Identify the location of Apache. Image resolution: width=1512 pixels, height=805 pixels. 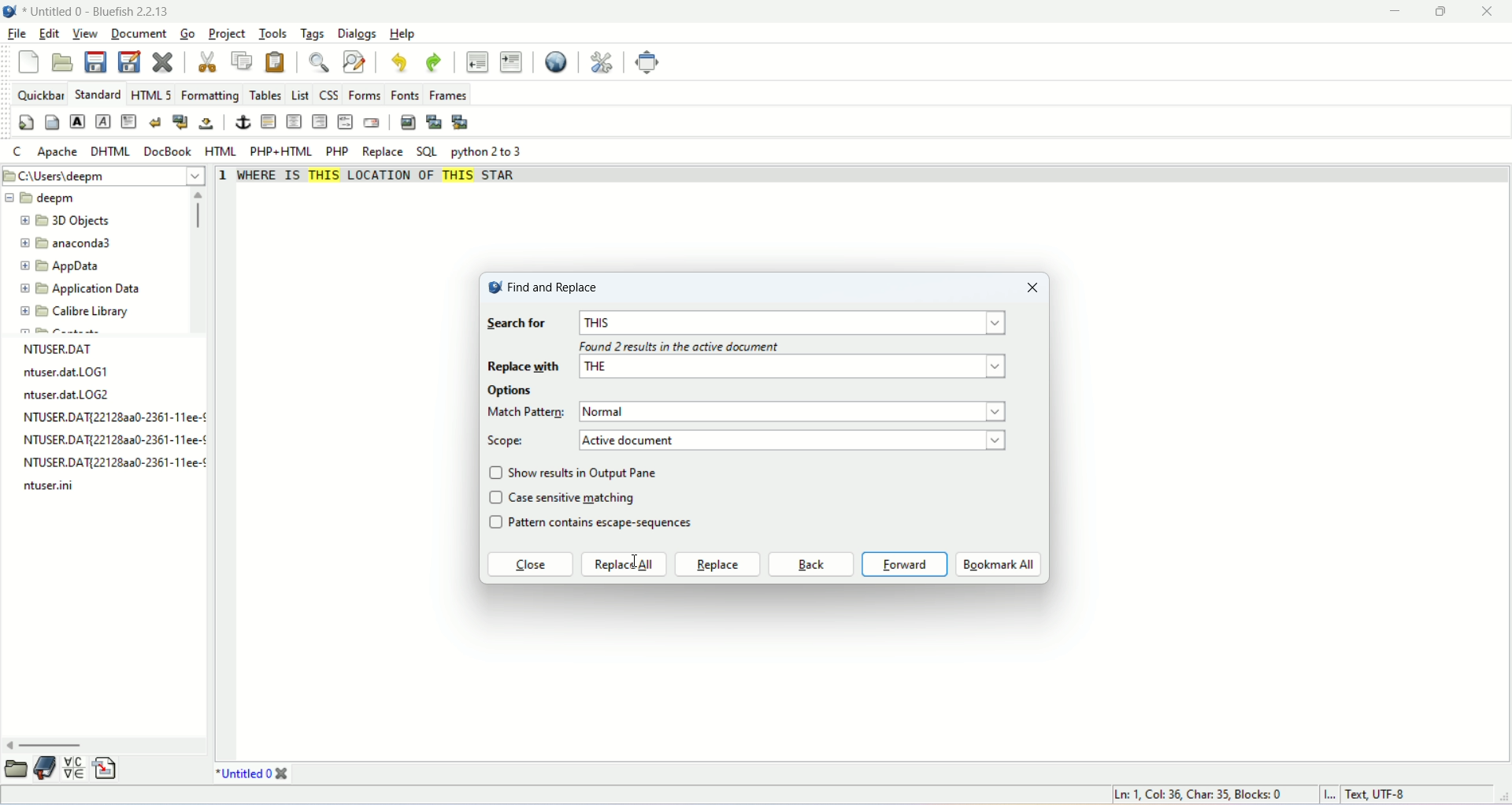
(55, 152).